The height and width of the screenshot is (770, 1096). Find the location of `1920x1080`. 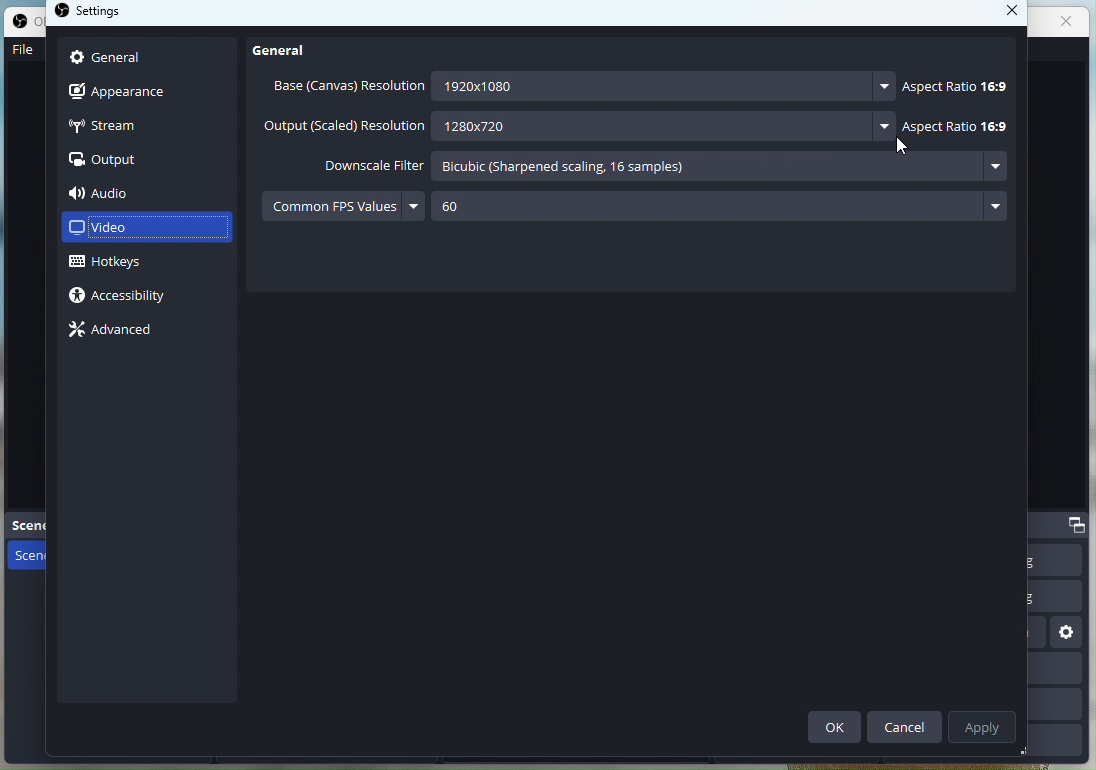

1920x1080 is located at coordinates (651, 86).